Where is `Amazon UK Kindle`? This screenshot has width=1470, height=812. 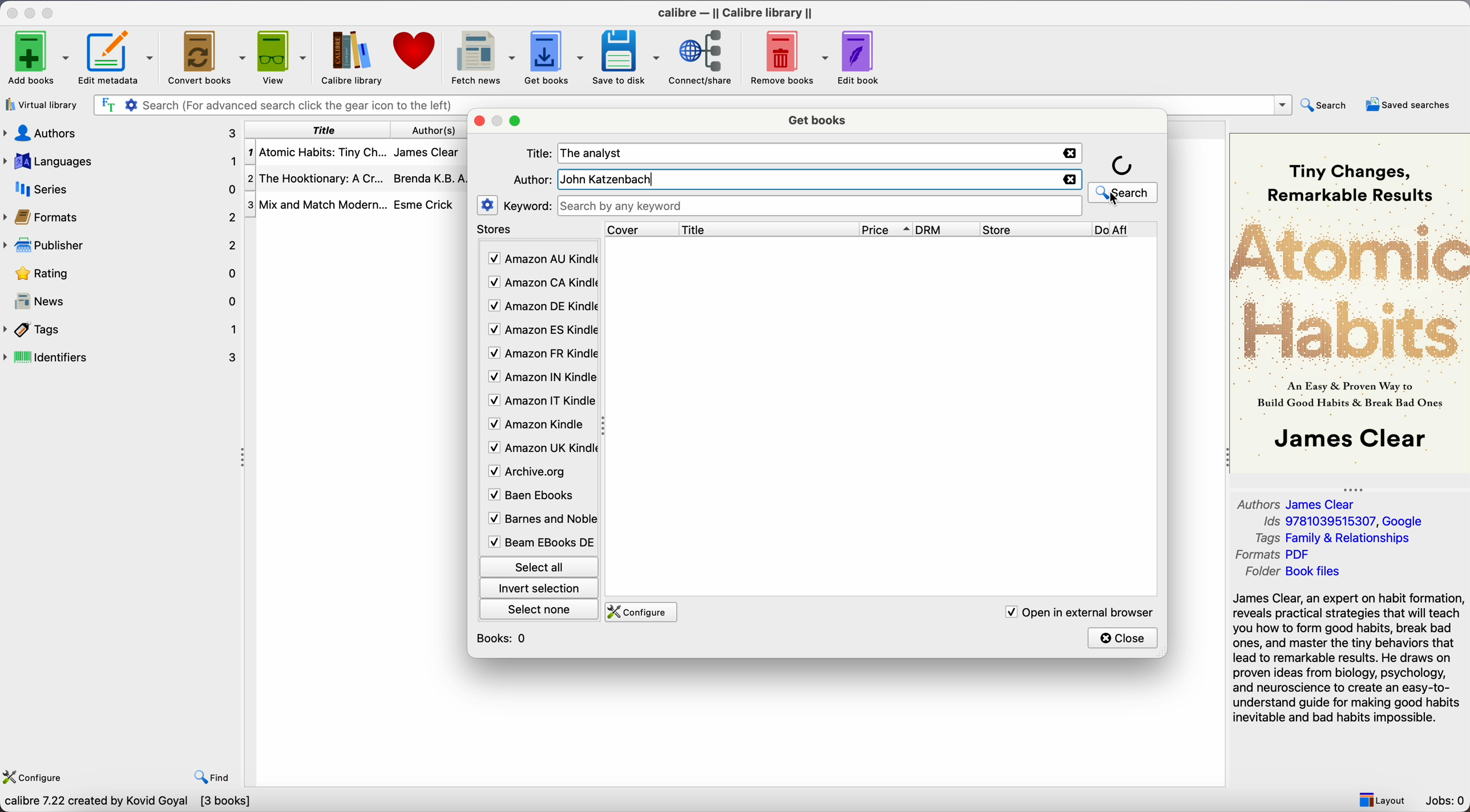
Amazon UK Kindle is located at coordinates (539, 450).